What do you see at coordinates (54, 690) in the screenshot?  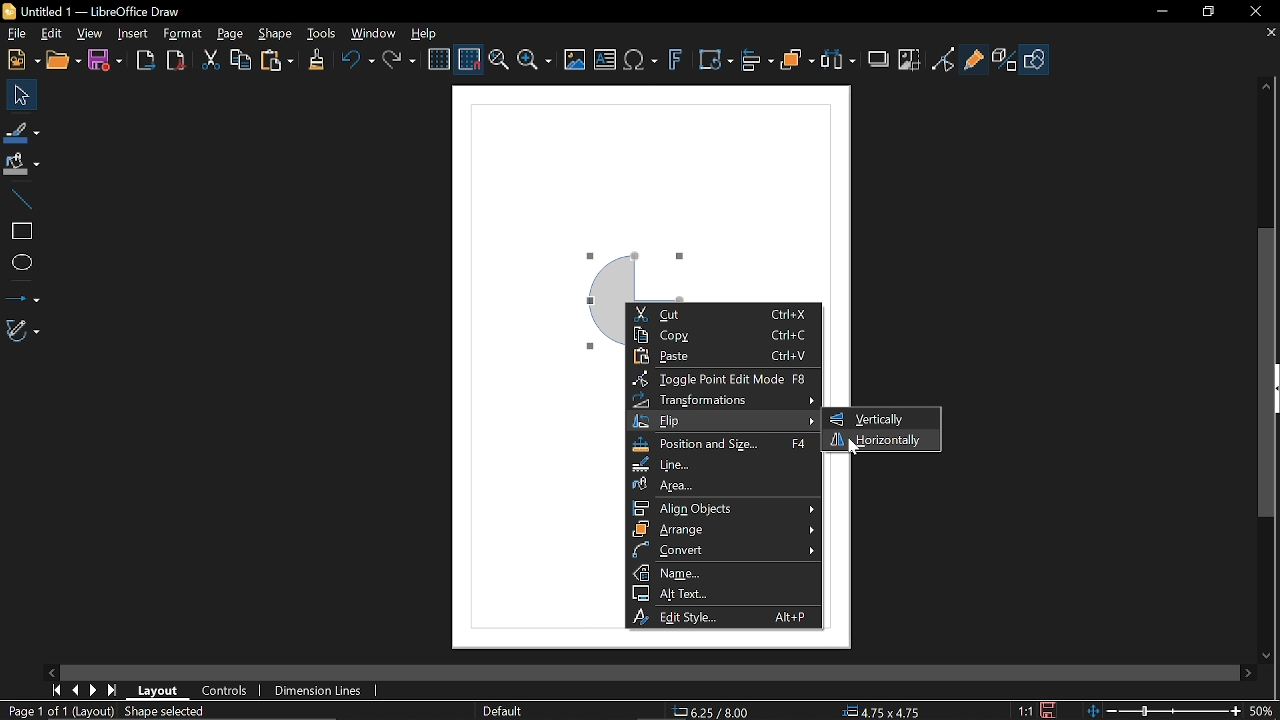 I see `First page` at bounding box center [54, 690].